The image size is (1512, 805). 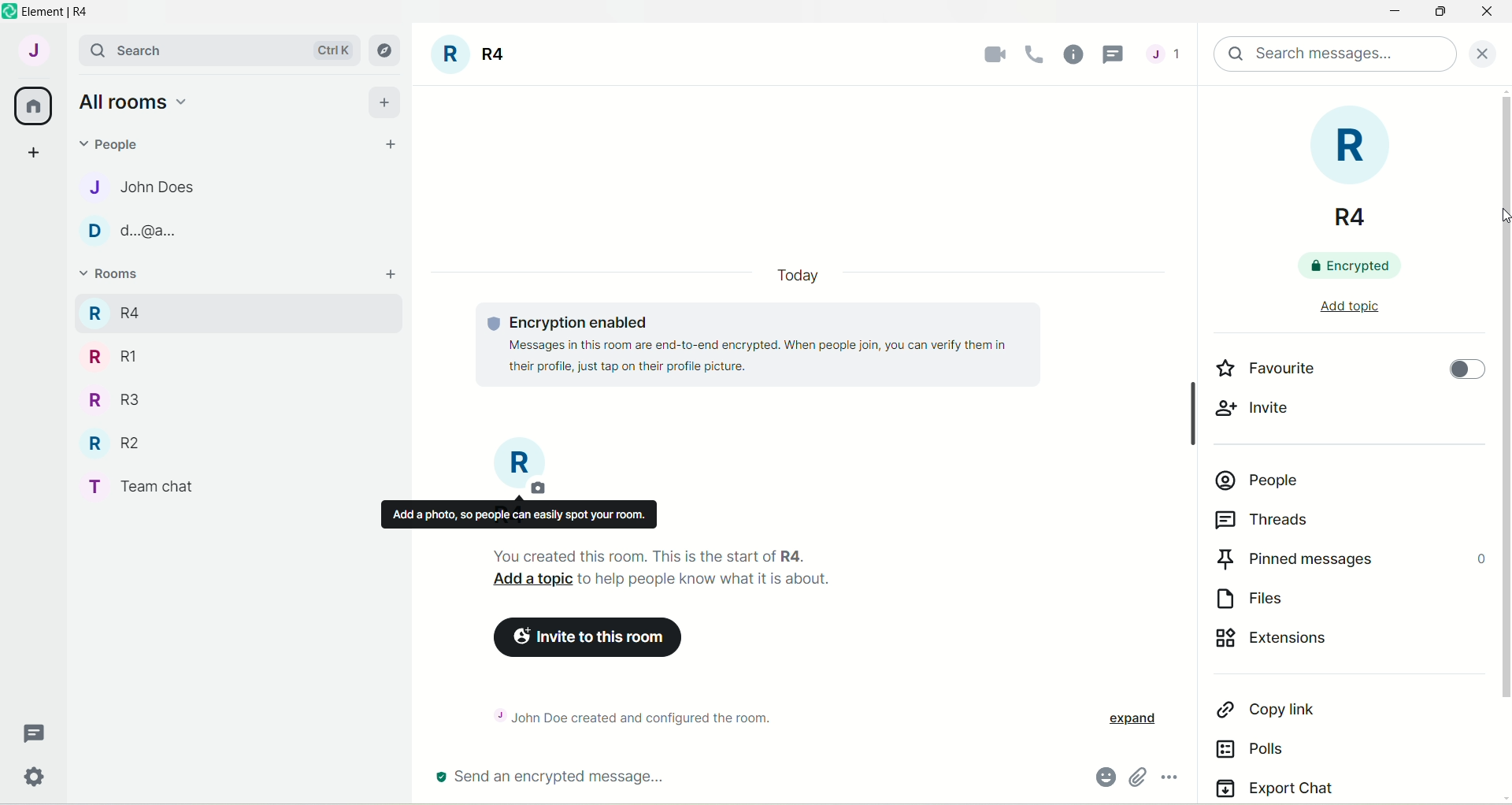 I want to click on explore rooms, so click(x=386, y=50).